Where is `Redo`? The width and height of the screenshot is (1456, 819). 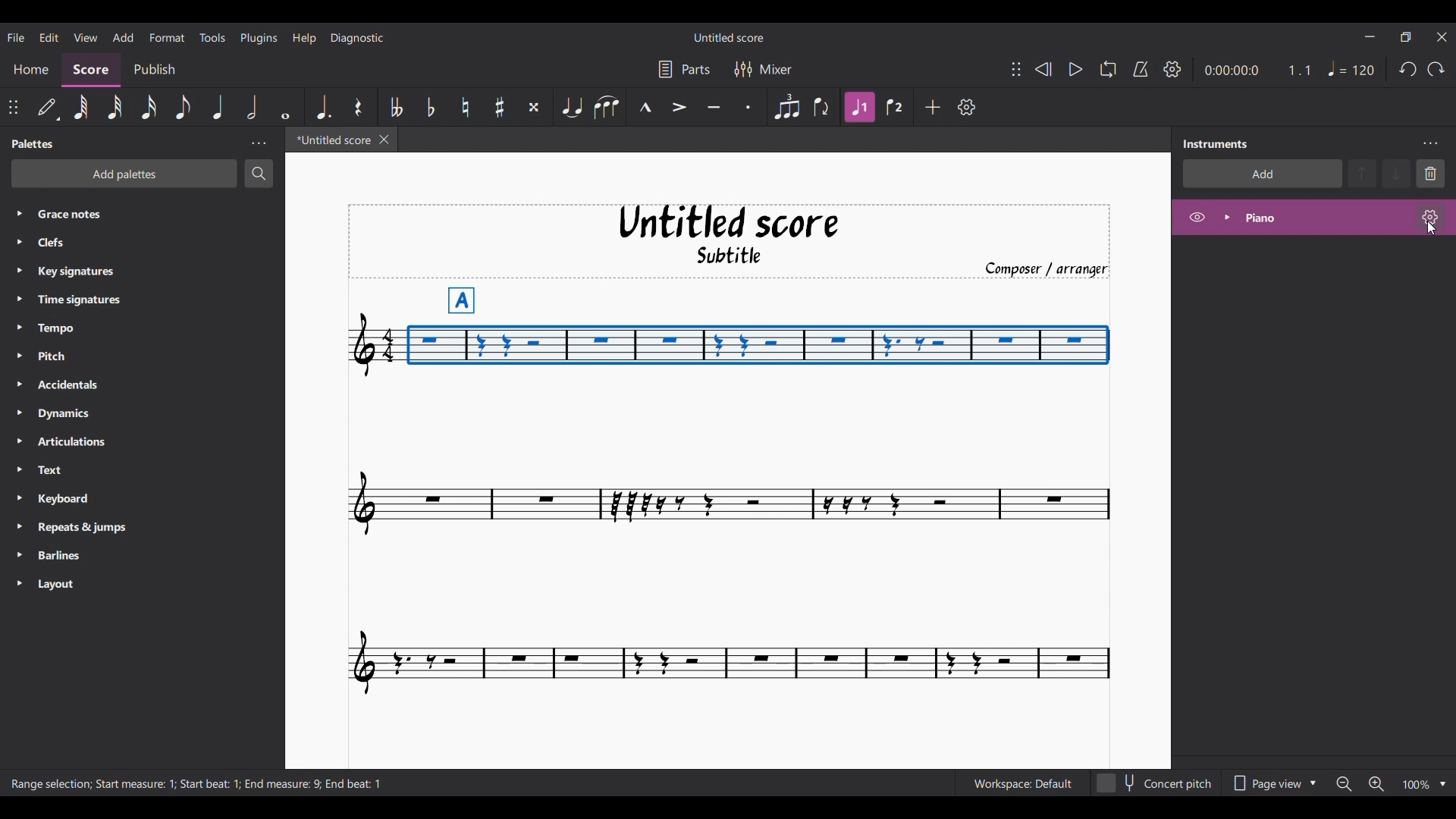 Redo is located at coordinates (1436, 69).